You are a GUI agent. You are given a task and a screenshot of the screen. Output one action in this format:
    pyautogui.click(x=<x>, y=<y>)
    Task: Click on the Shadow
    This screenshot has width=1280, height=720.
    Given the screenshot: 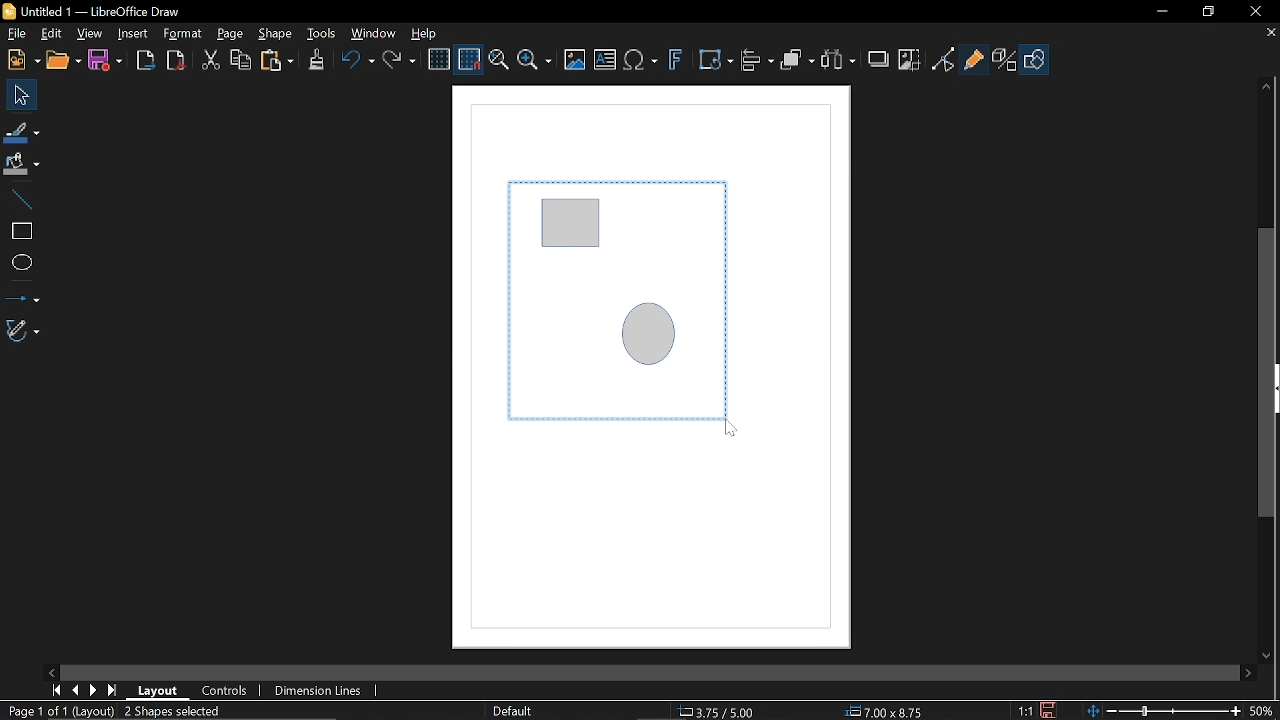 What is the action you would take?
    pyautogui.click(x=878, y=59)
    